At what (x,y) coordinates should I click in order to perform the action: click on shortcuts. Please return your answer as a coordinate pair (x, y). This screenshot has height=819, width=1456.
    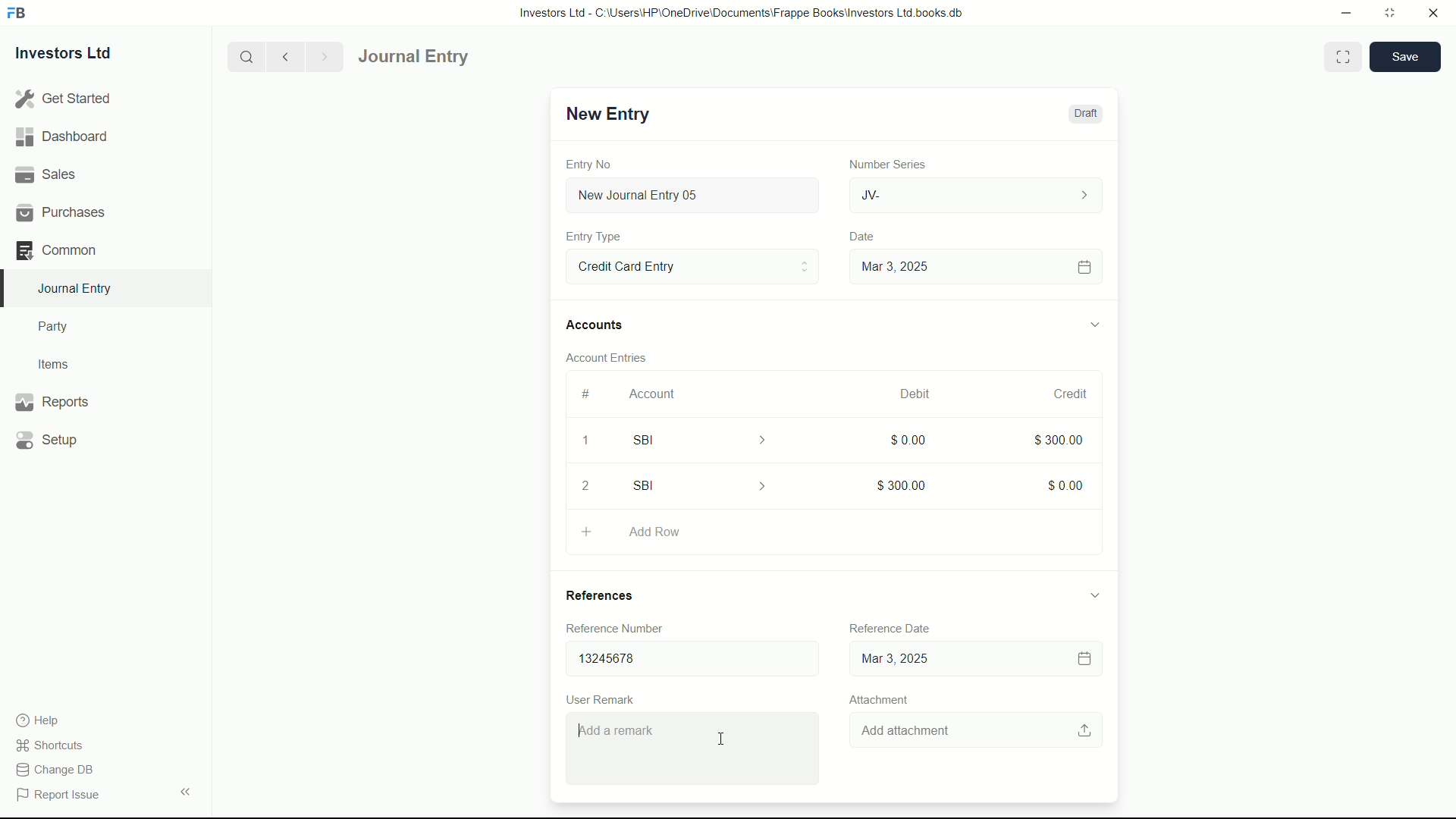
    Looking at the image, I should click on (53, 745).